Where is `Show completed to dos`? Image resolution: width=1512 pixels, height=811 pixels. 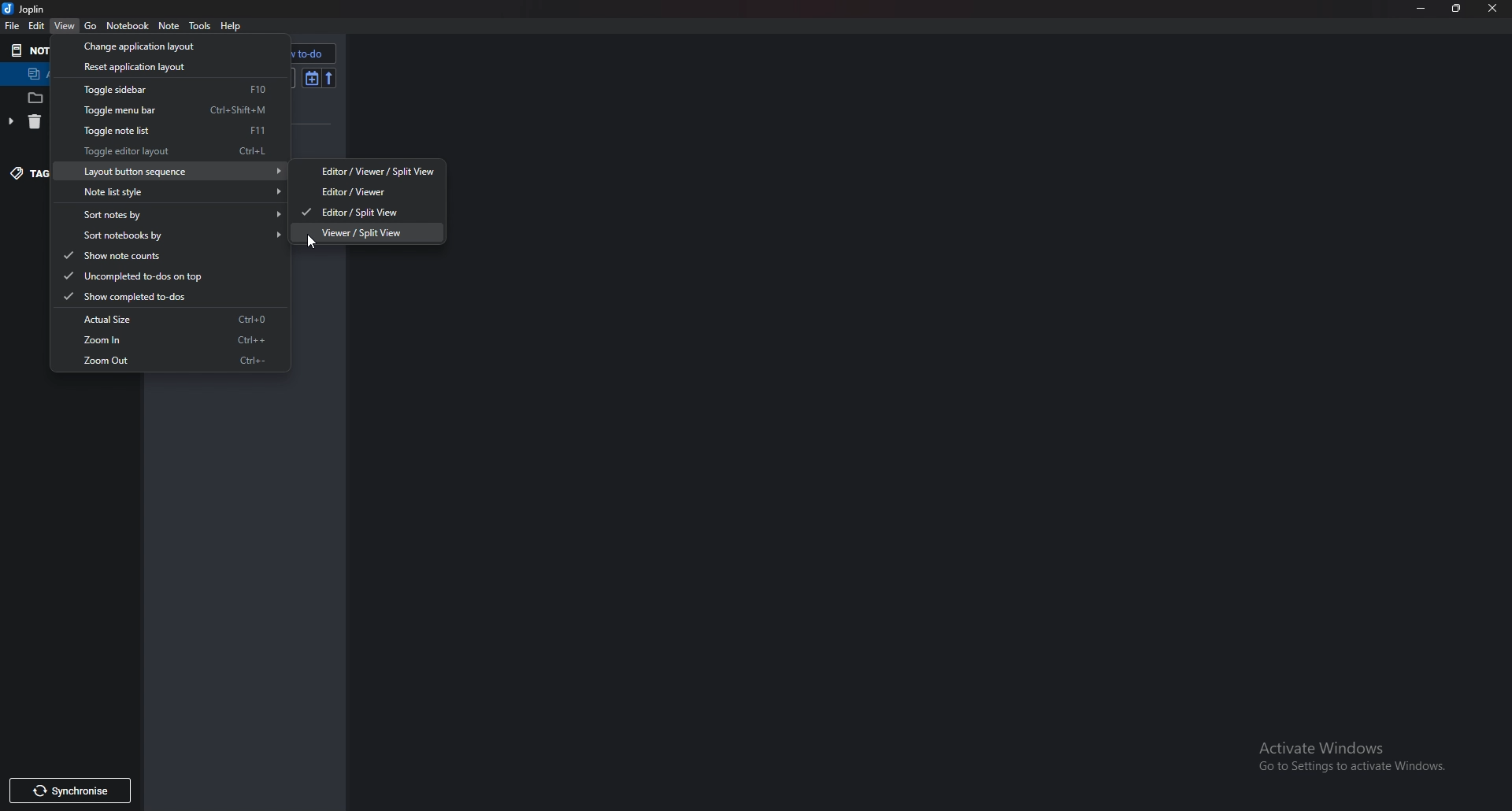 Show completed to dos is located at coordinates (161, 296).